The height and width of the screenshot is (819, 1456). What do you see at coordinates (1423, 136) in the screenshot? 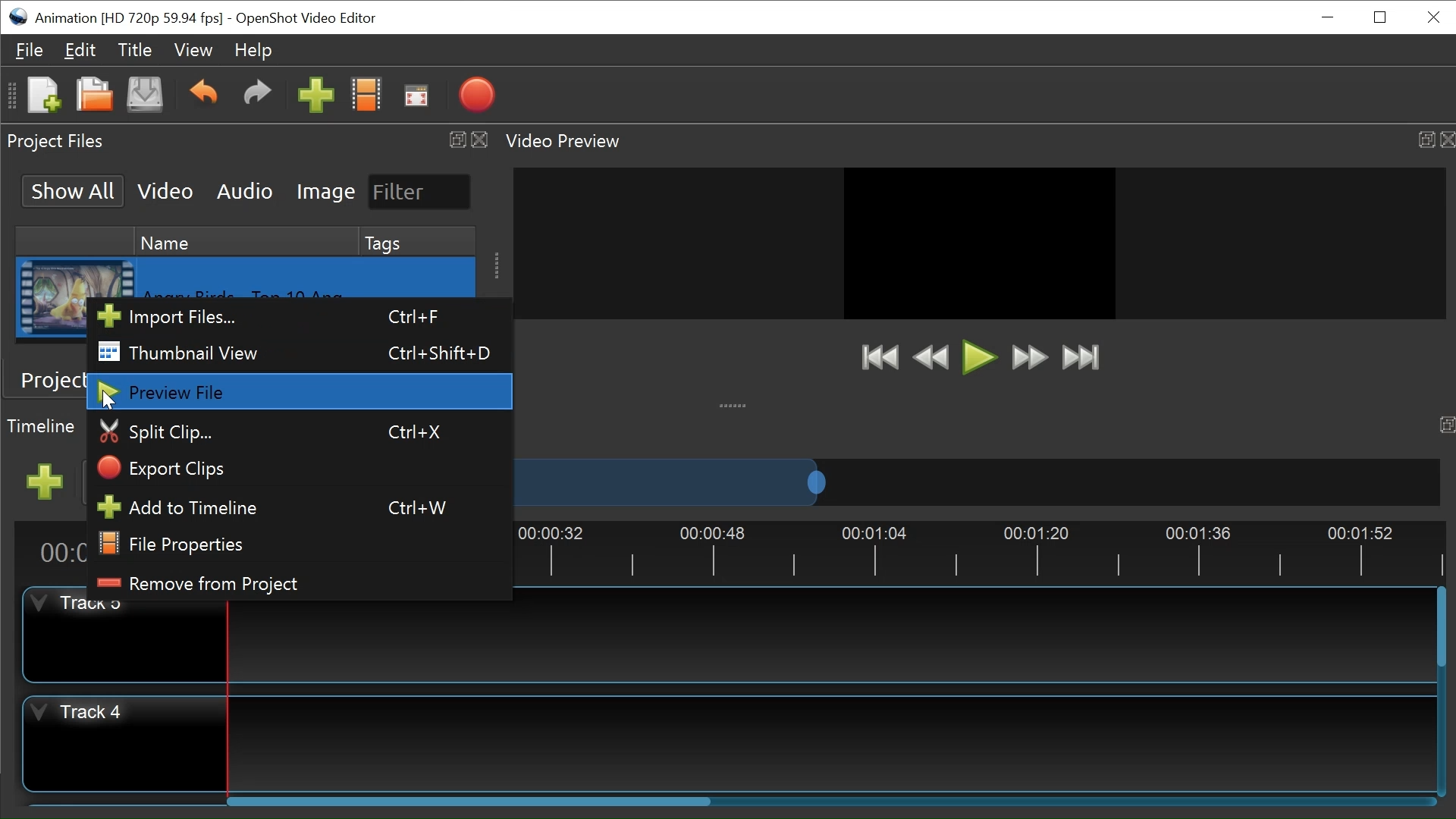
I see `Maximize` at bounding box center [1423, 136].